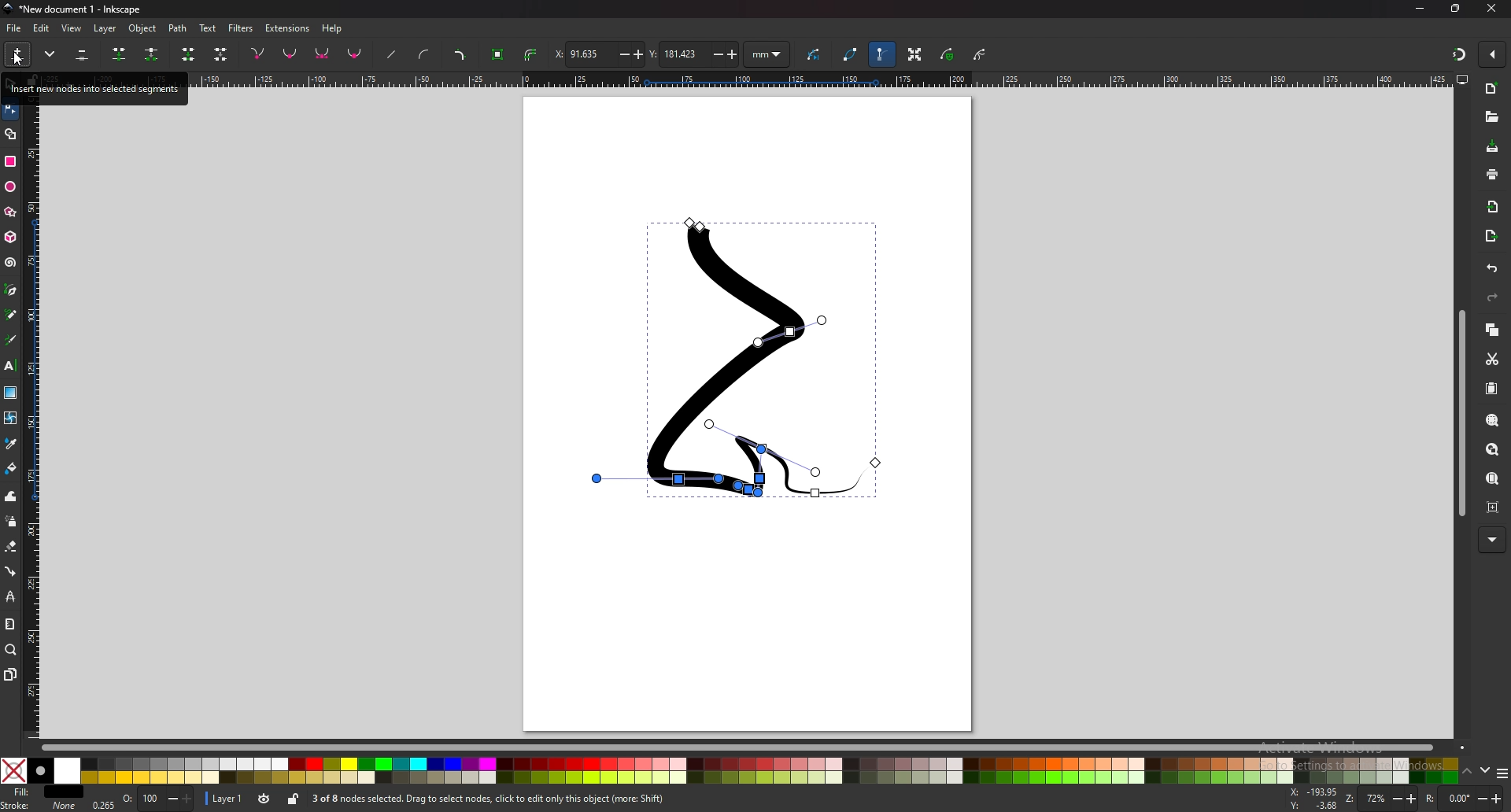 This screenshot has width=1511, height=812. I want to click on add corners lpe, so click(461, 54).